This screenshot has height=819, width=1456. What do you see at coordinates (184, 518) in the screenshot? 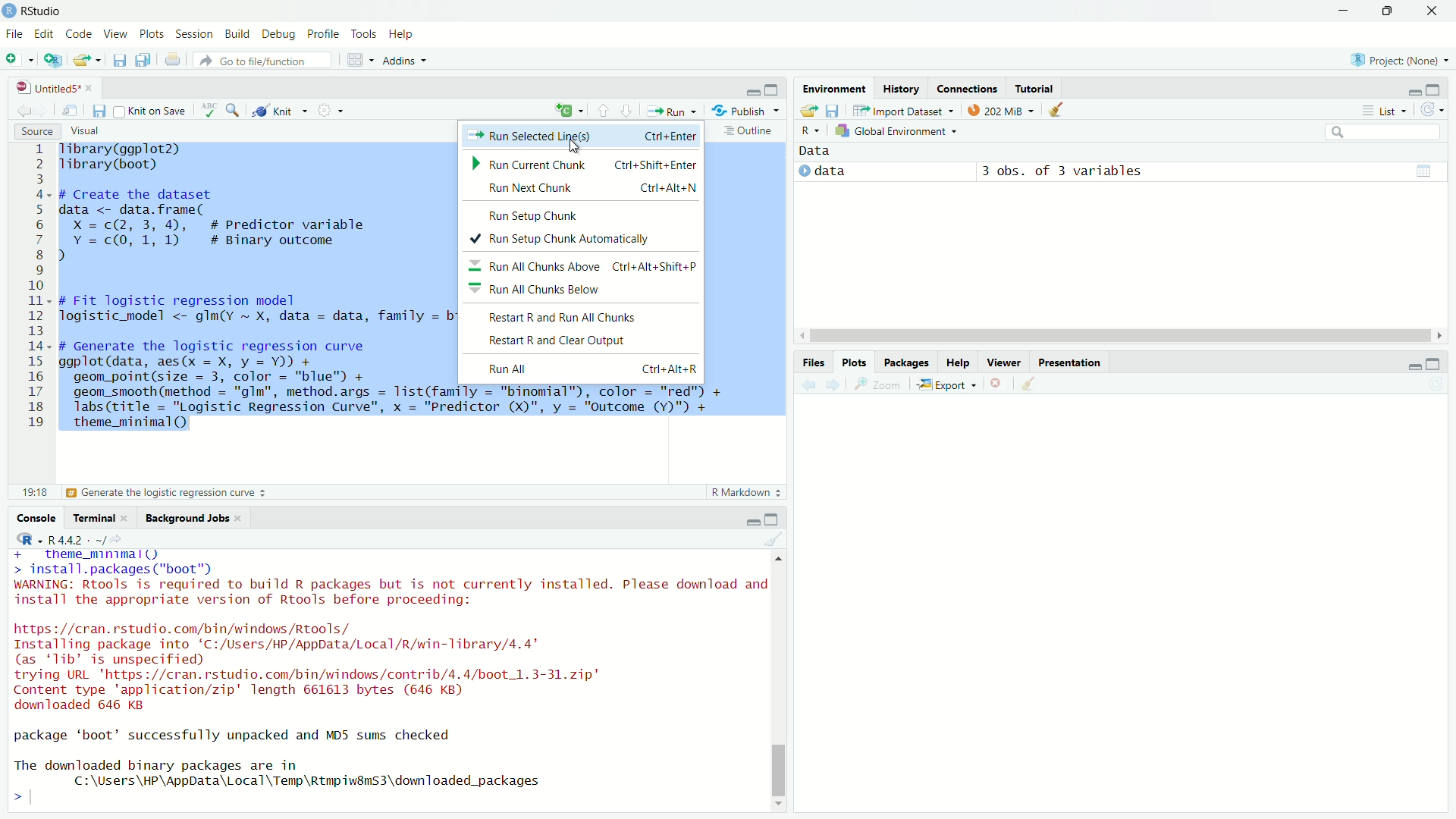
I see `Background Jobs` at bounding box center [184, 518].